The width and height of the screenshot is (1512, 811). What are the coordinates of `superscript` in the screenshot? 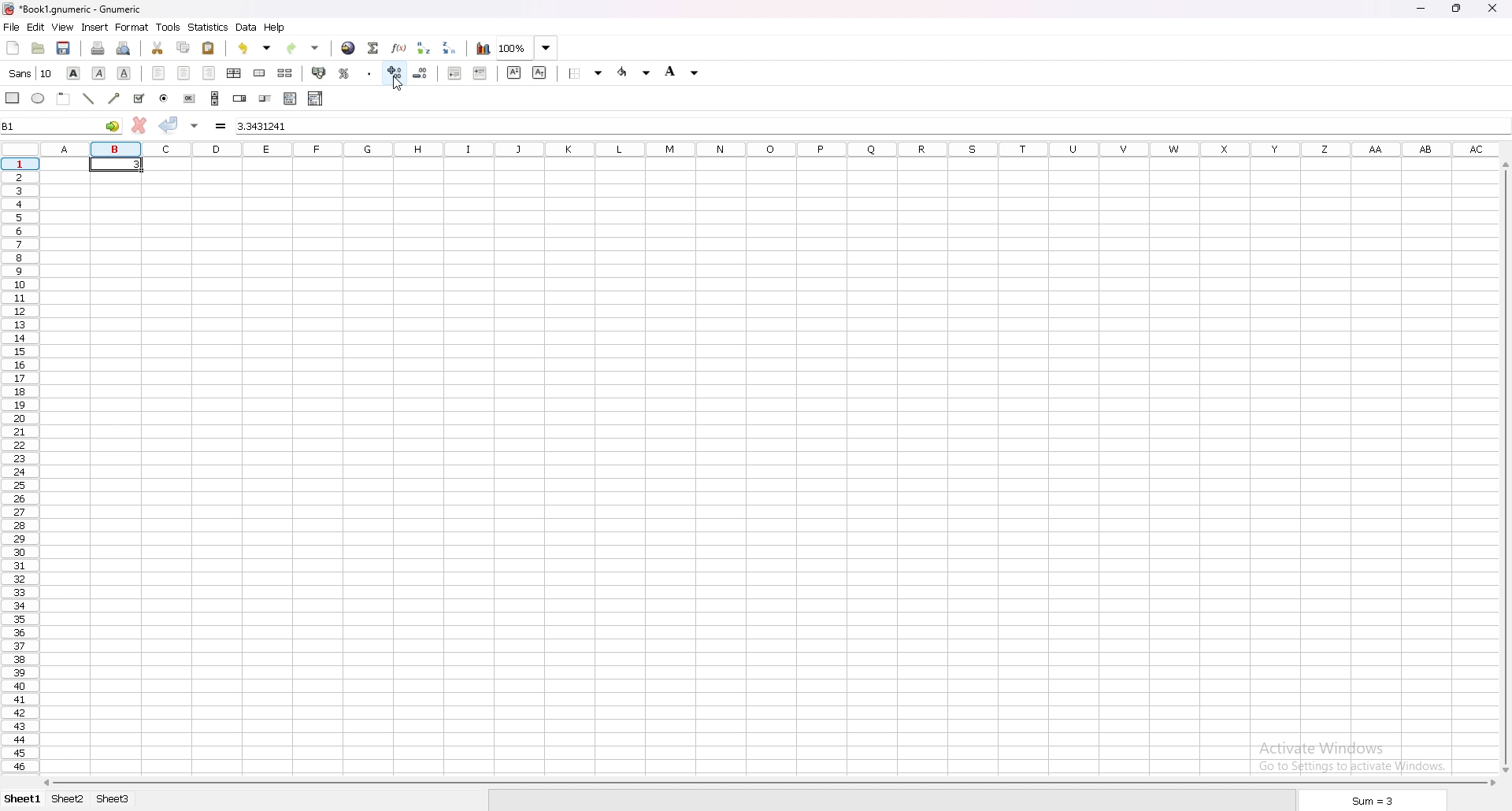 It's located at (514, 72).